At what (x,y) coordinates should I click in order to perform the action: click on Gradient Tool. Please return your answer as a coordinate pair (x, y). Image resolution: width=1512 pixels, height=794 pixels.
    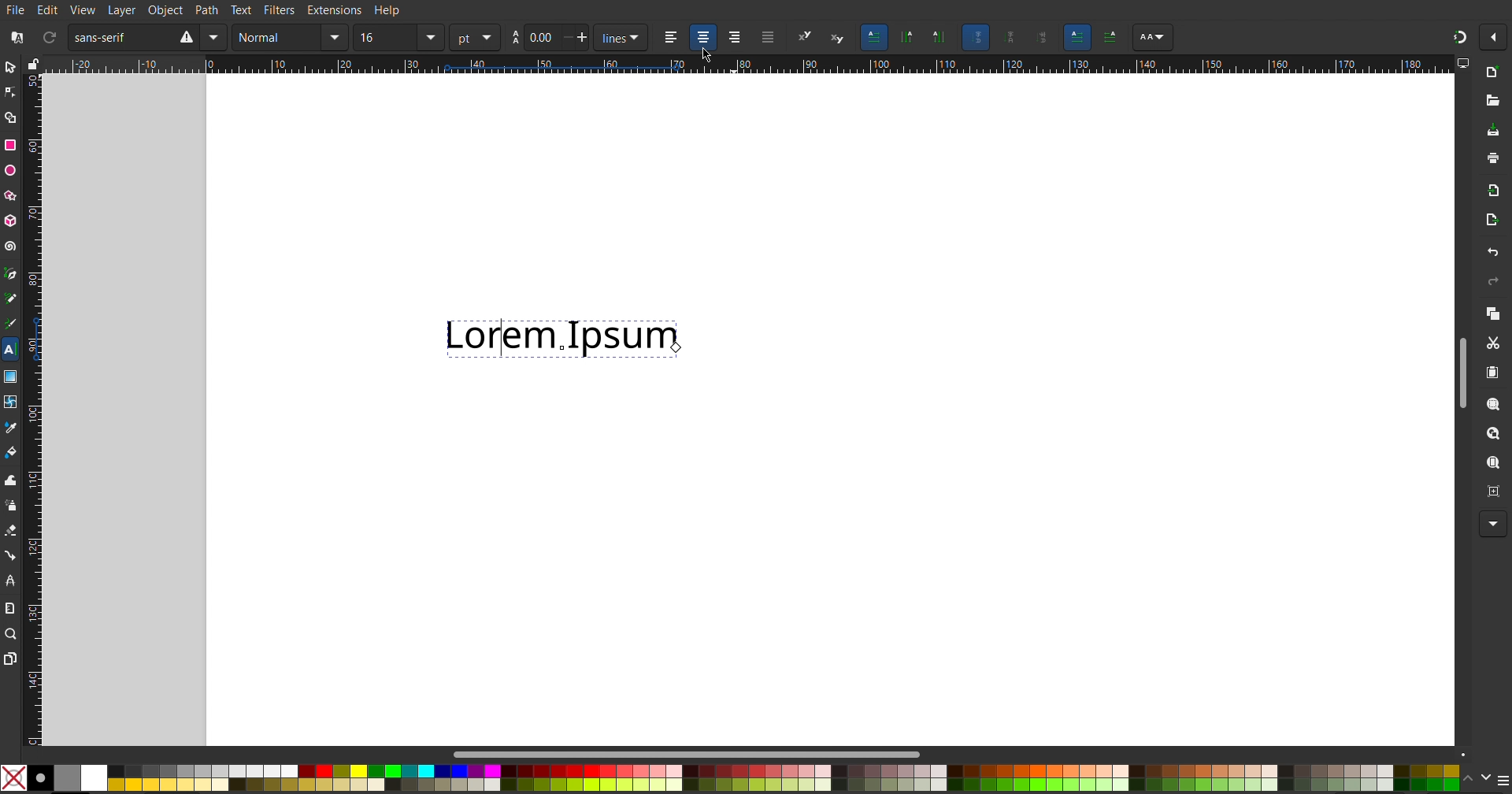
    Looking at the image, I should click on (13, 379).